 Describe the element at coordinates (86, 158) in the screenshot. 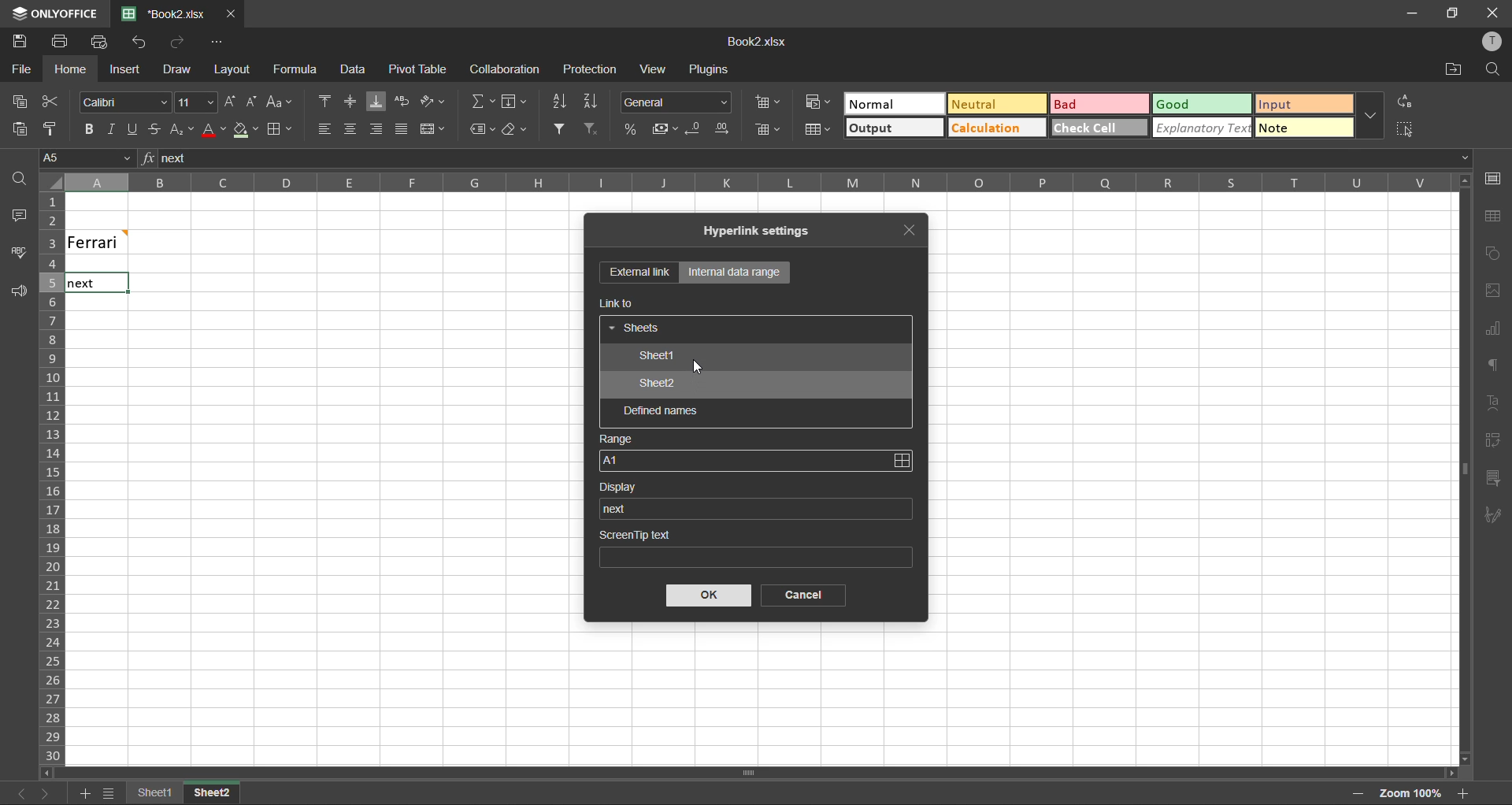

I see `cell address` at that location.